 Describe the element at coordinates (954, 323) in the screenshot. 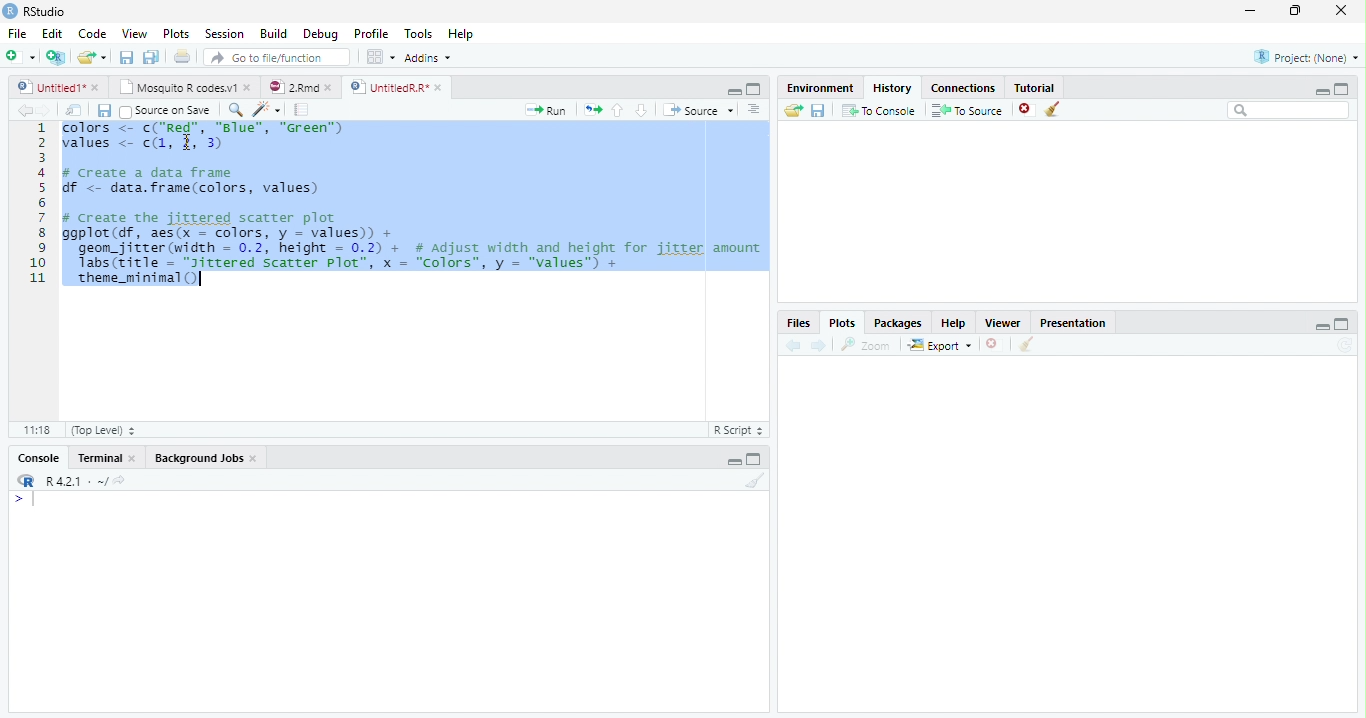

I see `Help` at that location.